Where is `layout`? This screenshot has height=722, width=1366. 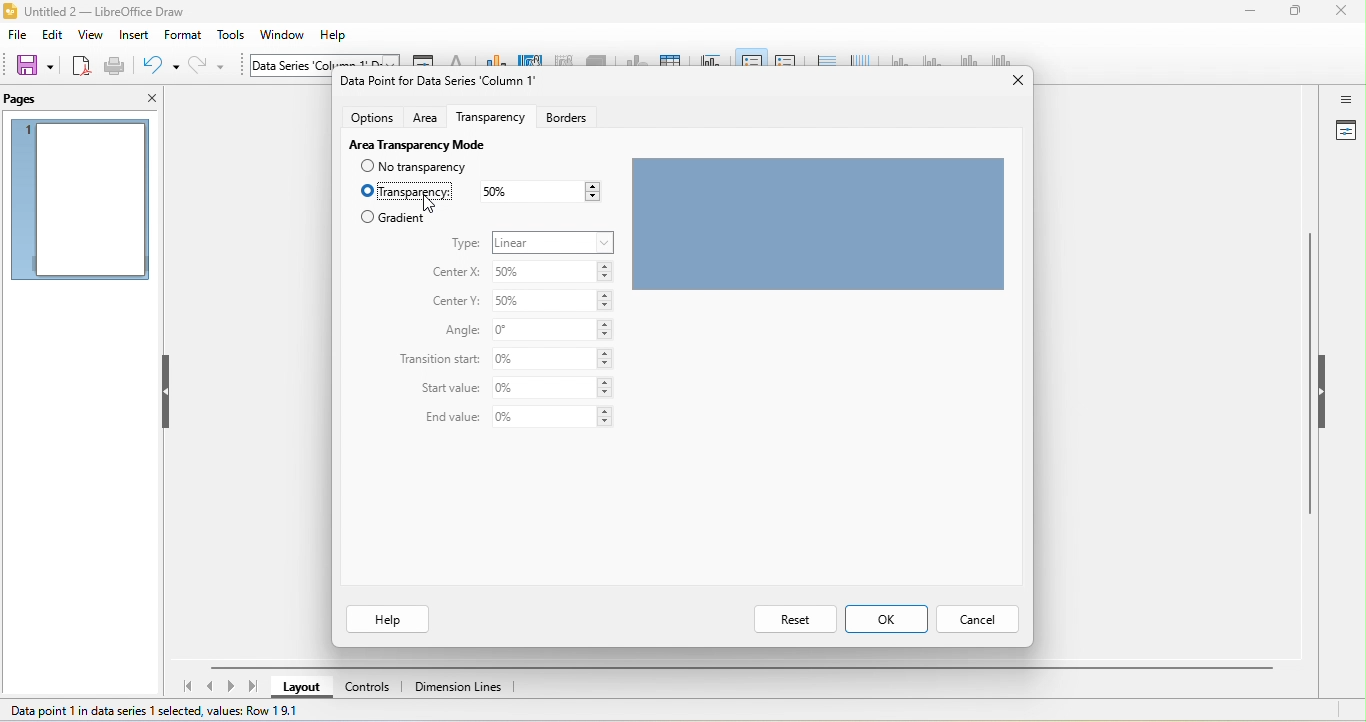 layout is located at coordinates (301, 686).